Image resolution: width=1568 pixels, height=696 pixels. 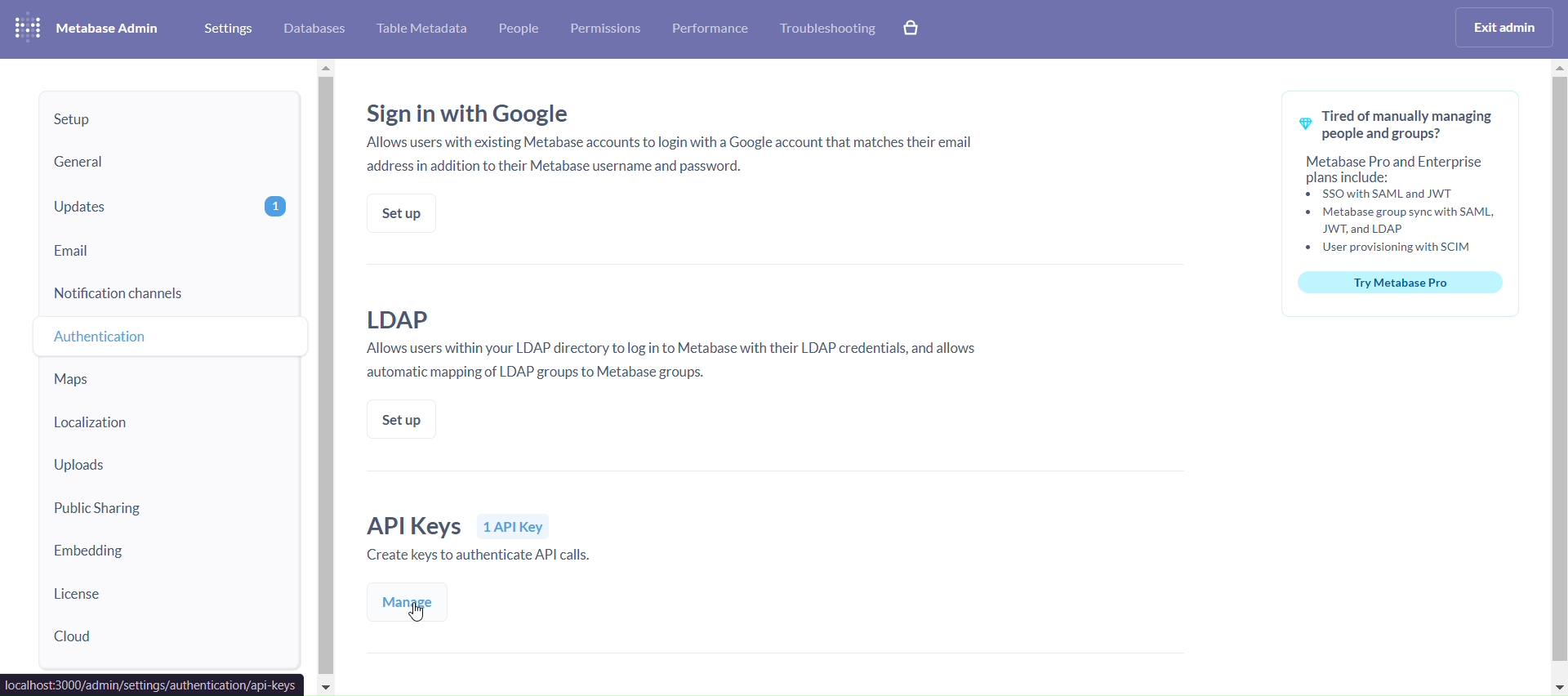 What do you see at coordinates (167, 381) in the screenshot?
I see `maps` at bounding box center [167, 381].